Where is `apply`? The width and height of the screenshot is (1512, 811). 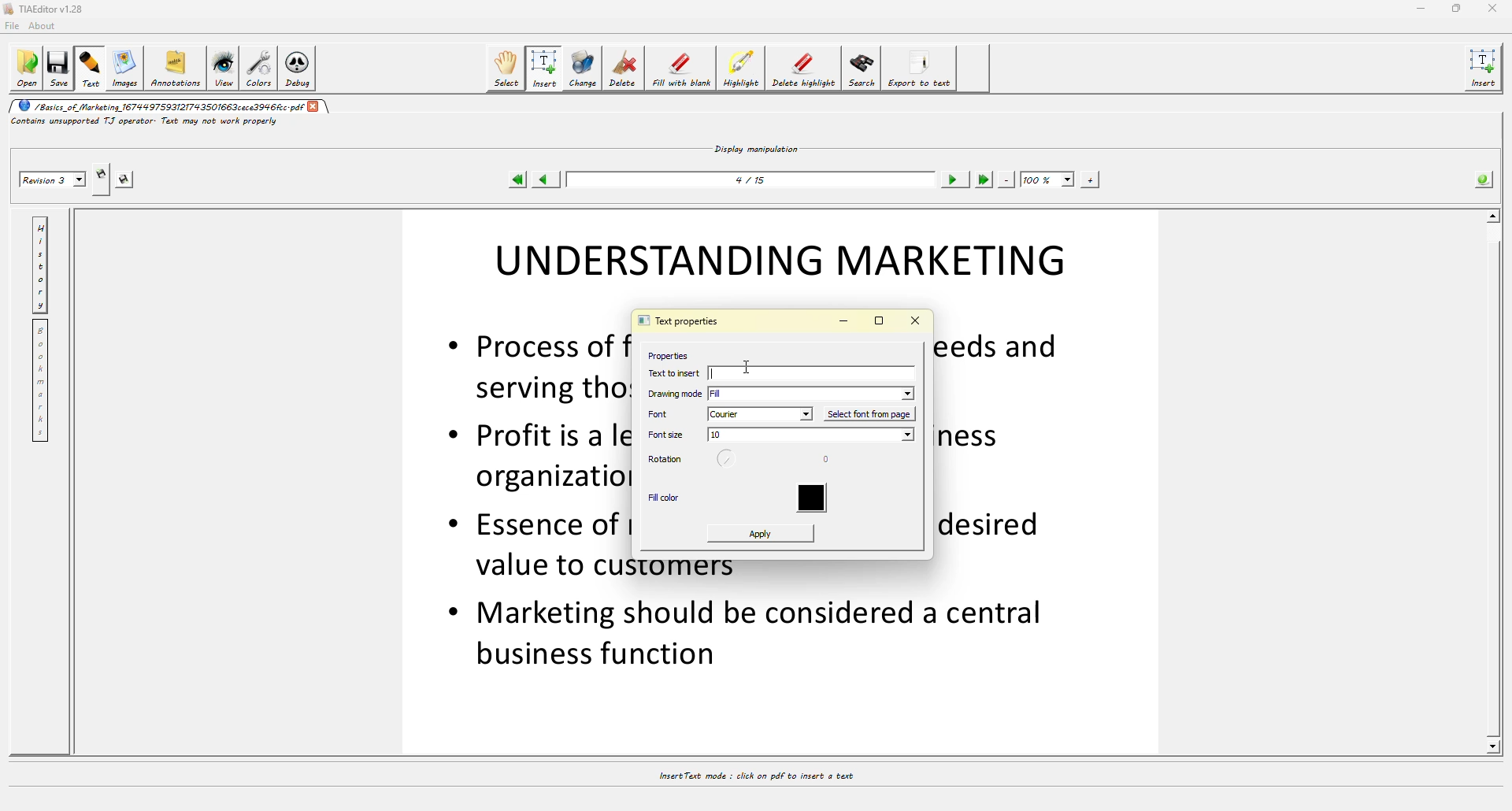 apply is located at coordinates (762, 533).